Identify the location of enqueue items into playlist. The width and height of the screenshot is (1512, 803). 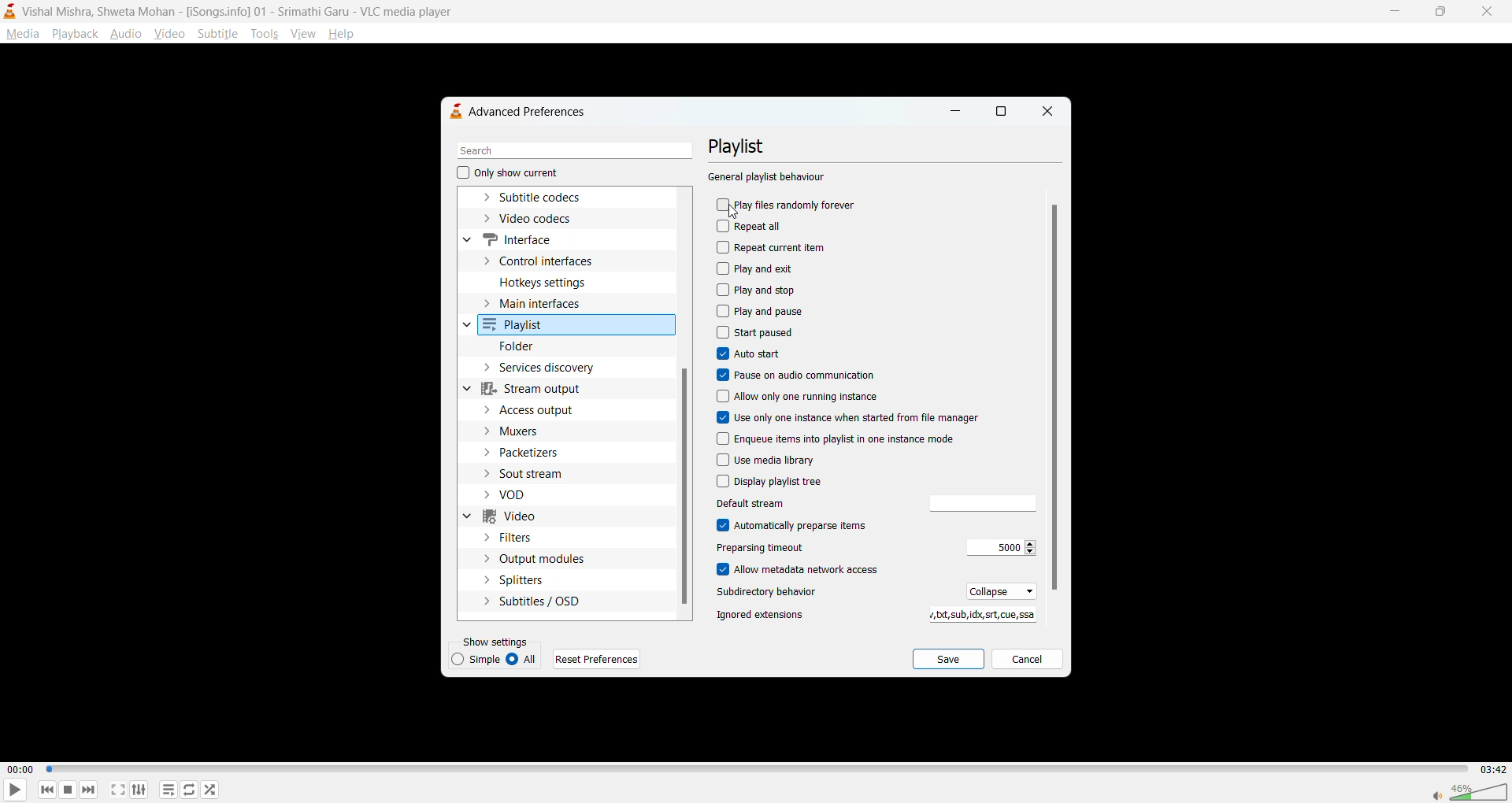
(855, 437).